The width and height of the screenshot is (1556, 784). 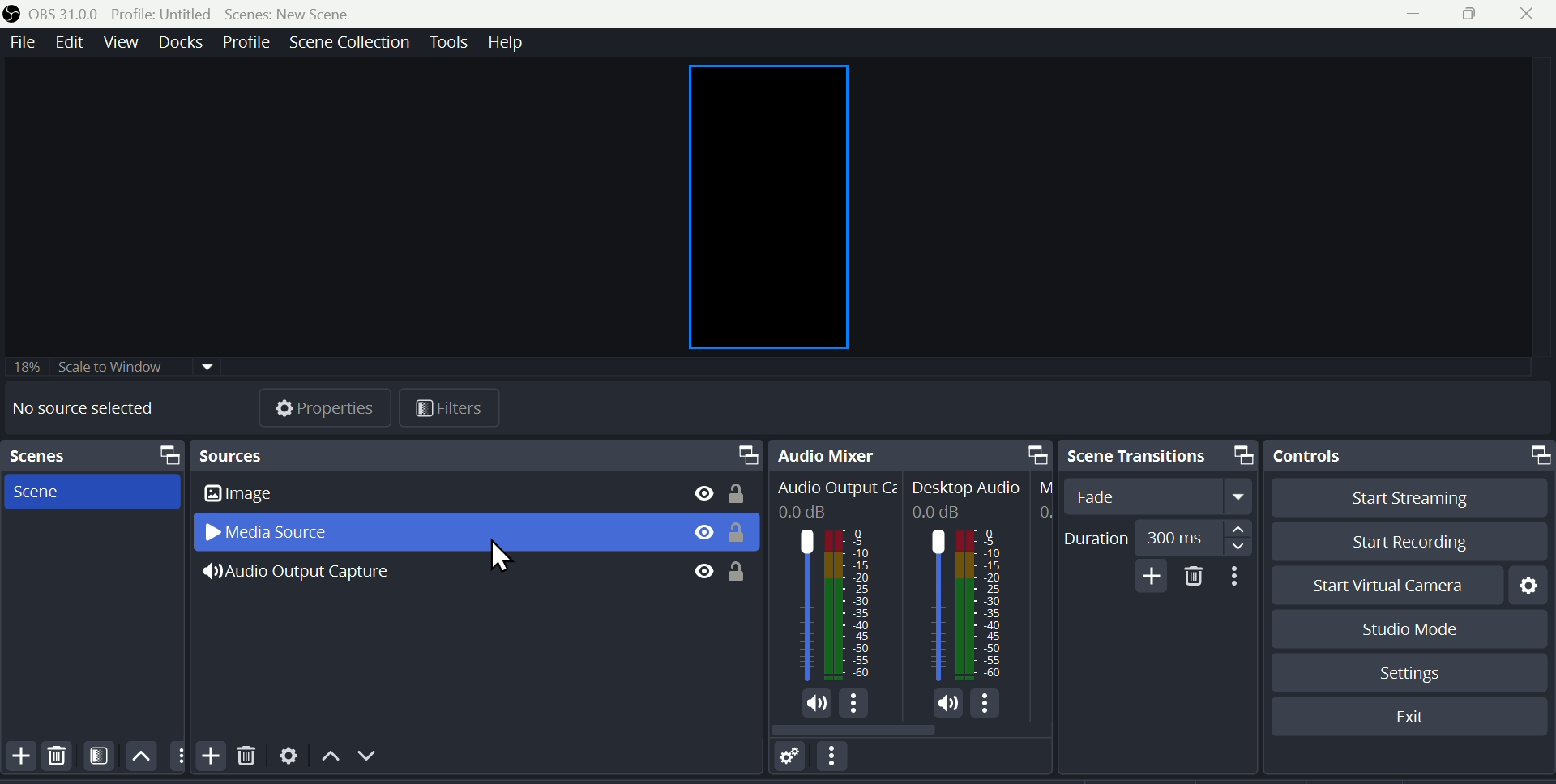 I want to click on More options, so click(x=1236, y=576).